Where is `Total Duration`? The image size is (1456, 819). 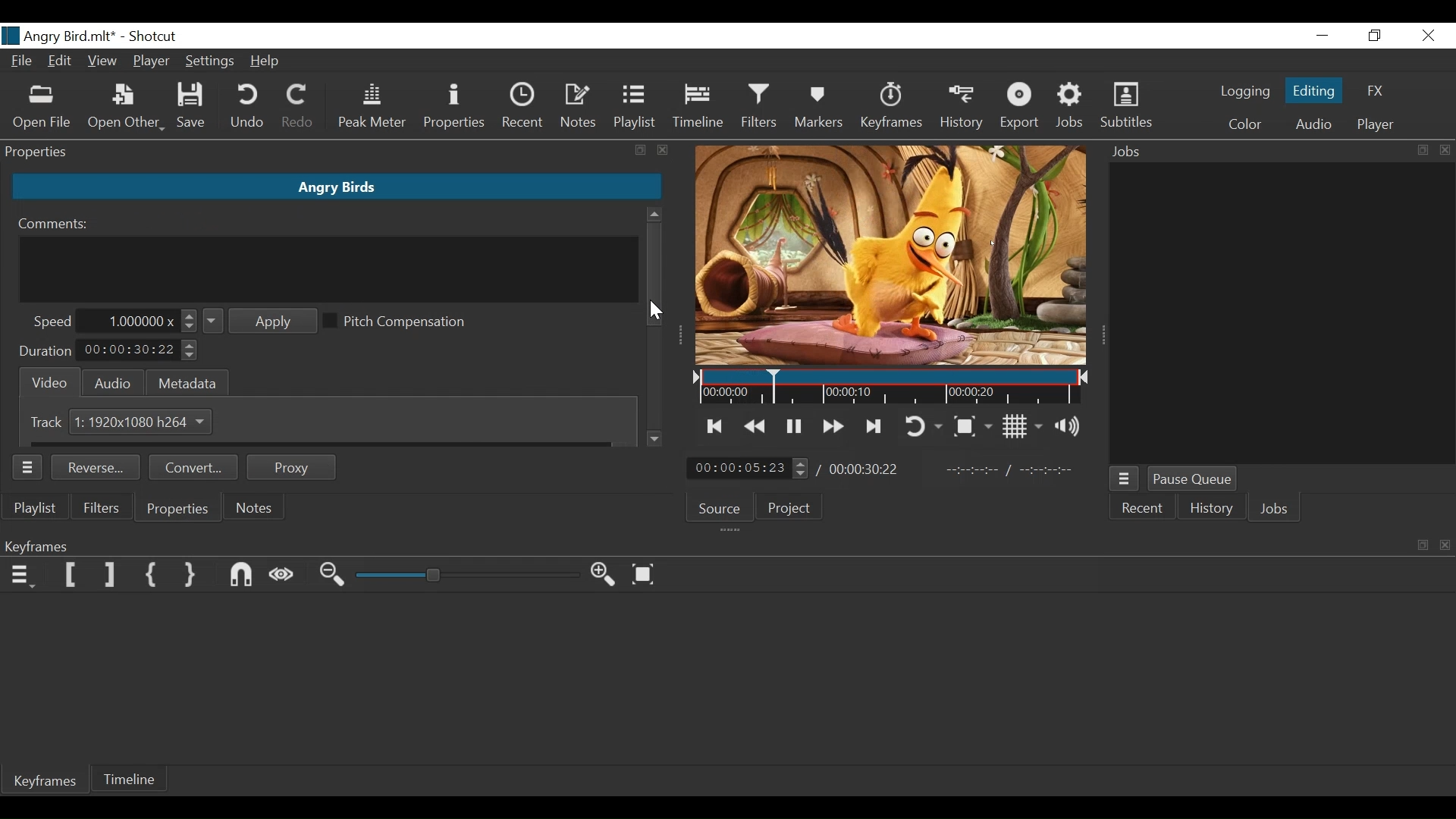 Total Duration is located at coordinates (866, 469).